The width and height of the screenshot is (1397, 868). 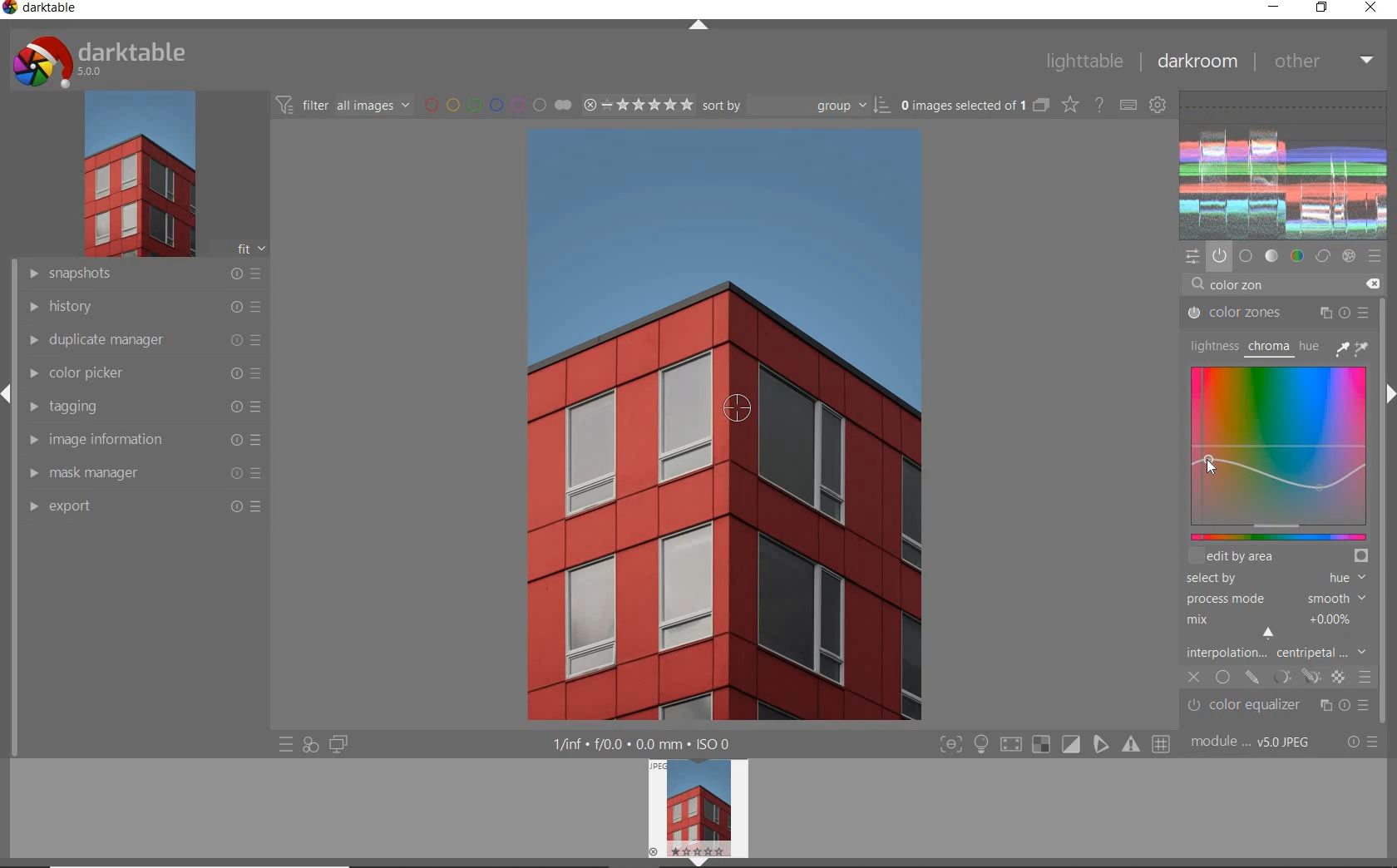 I want to click on color equalizer, so click(x=1281, y=706).